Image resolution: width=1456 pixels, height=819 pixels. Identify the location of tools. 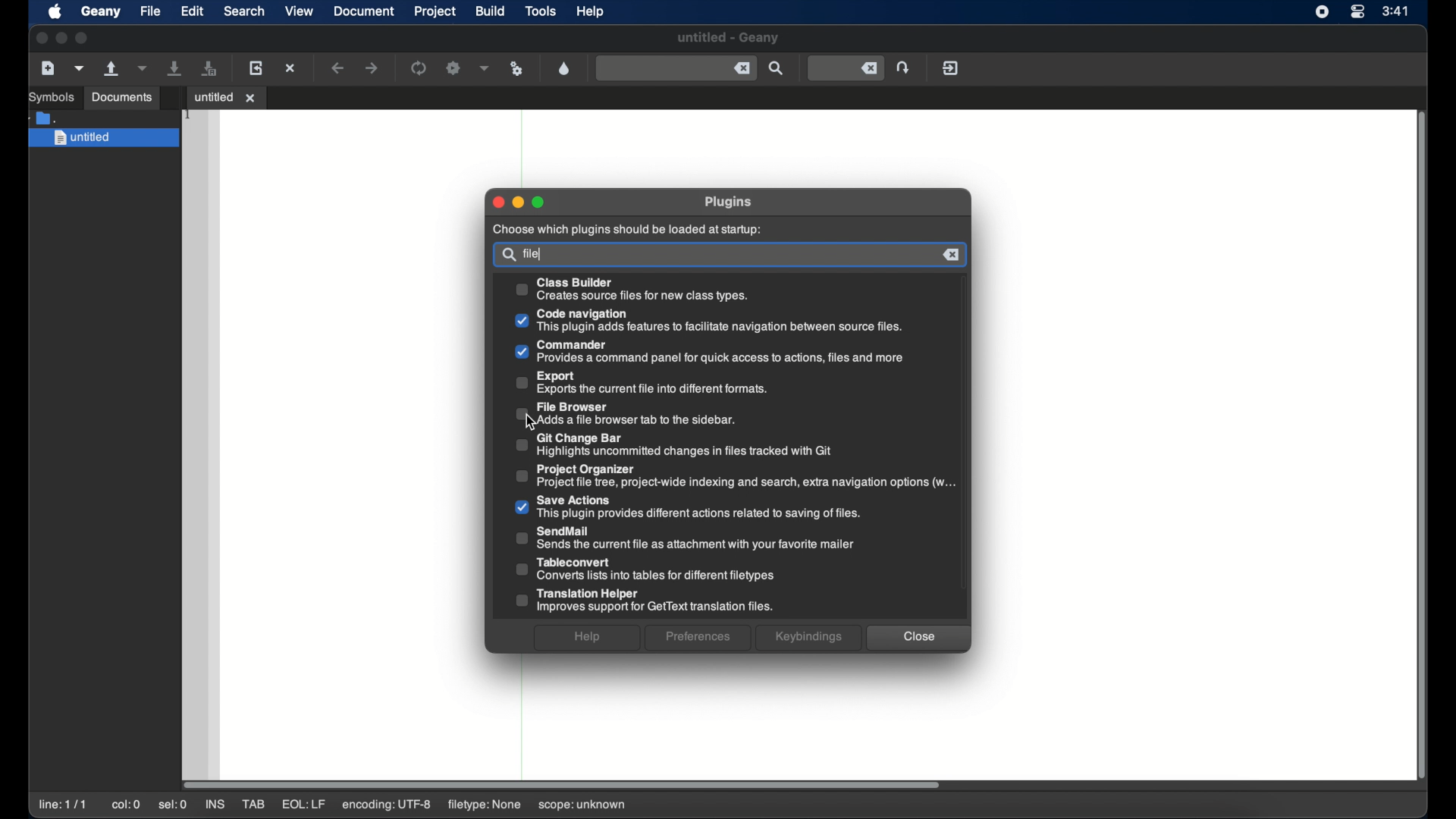
(543, 11).